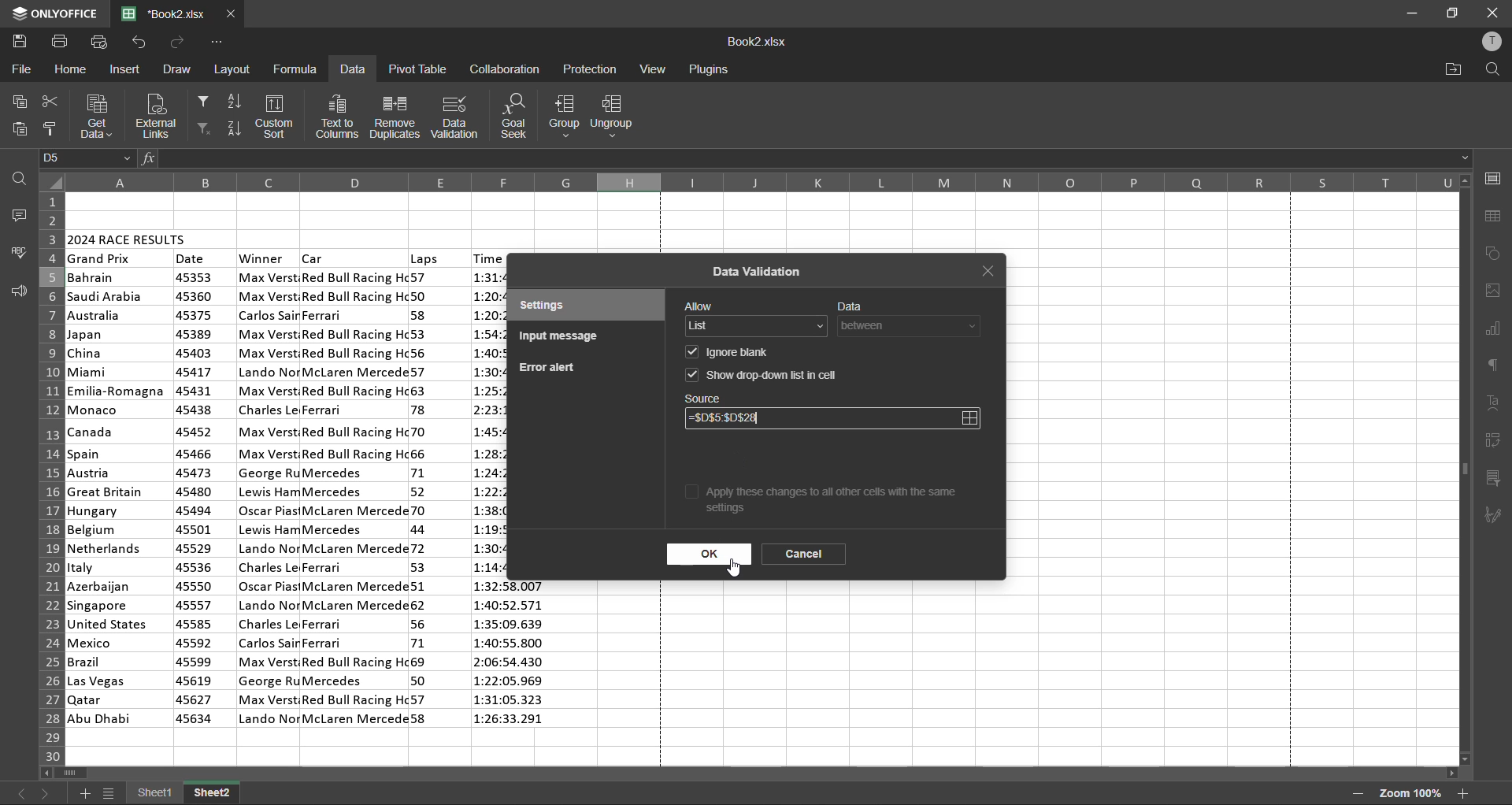 This screenshot has width=1512, height=805. Describe the element at coordinates (298, 68) in the screenshot. I see `formula` at that location.